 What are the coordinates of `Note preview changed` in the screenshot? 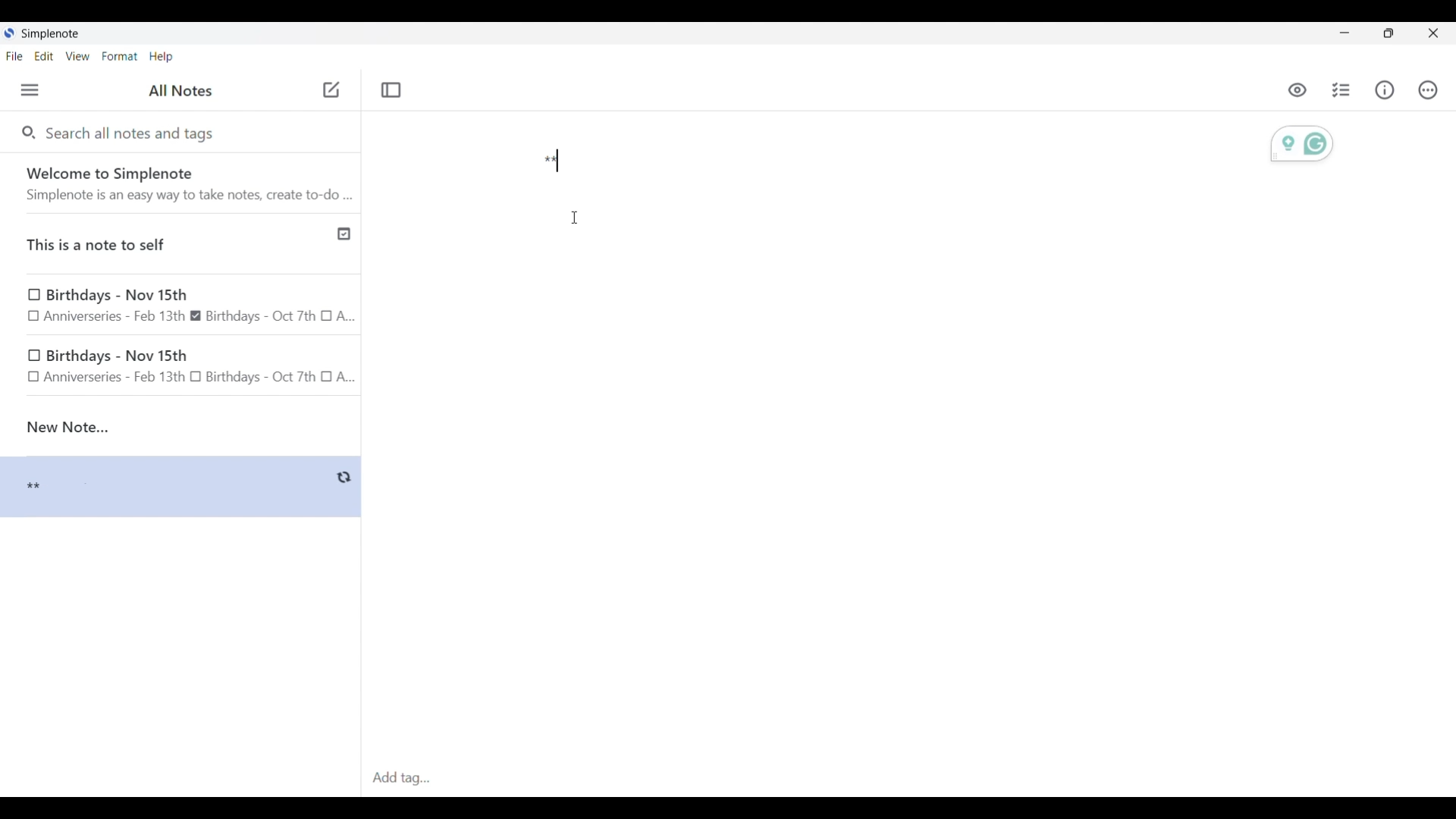 It's located at (167, 487).